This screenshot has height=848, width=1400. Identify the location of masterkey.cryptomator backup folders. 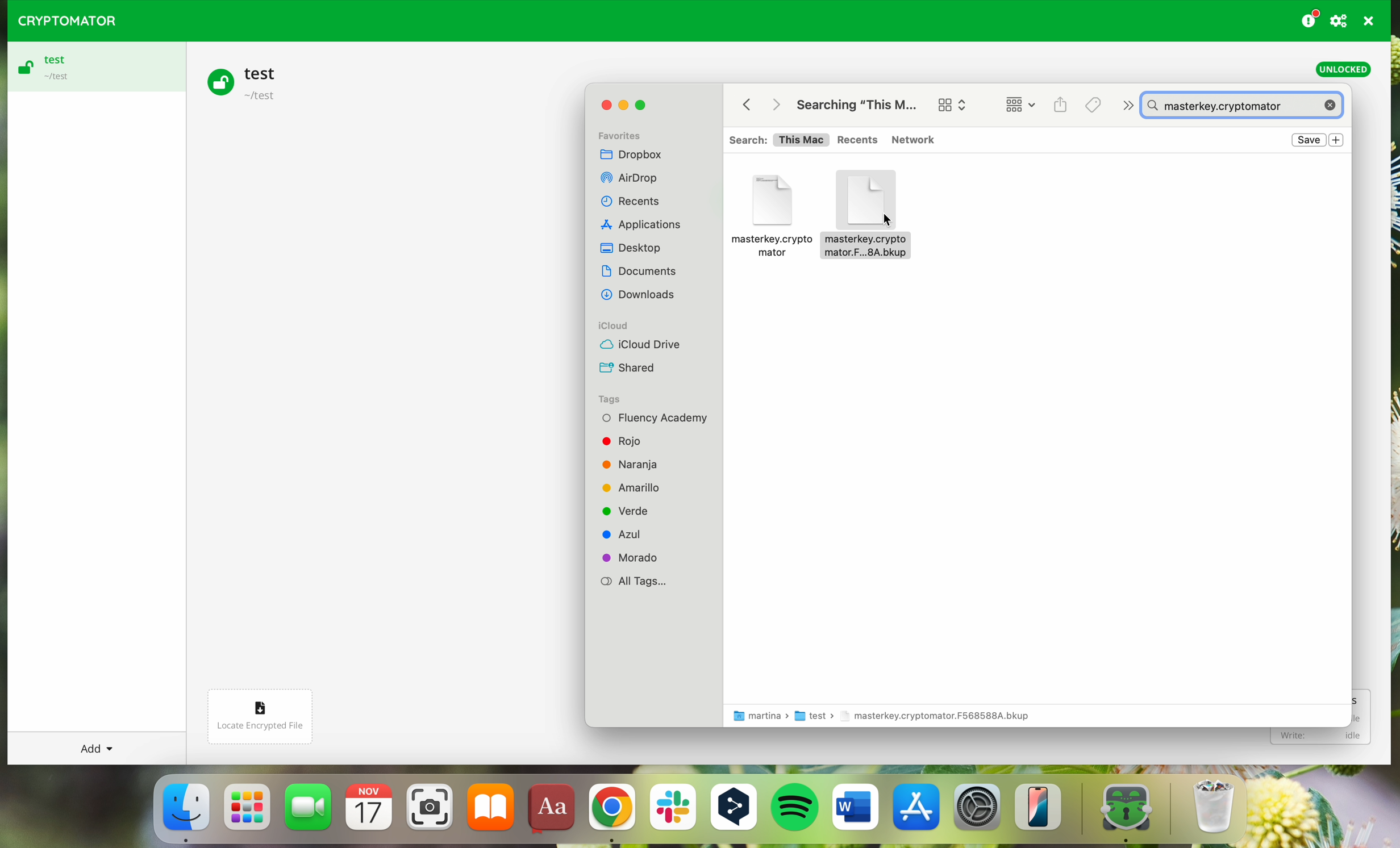
(861, 211).